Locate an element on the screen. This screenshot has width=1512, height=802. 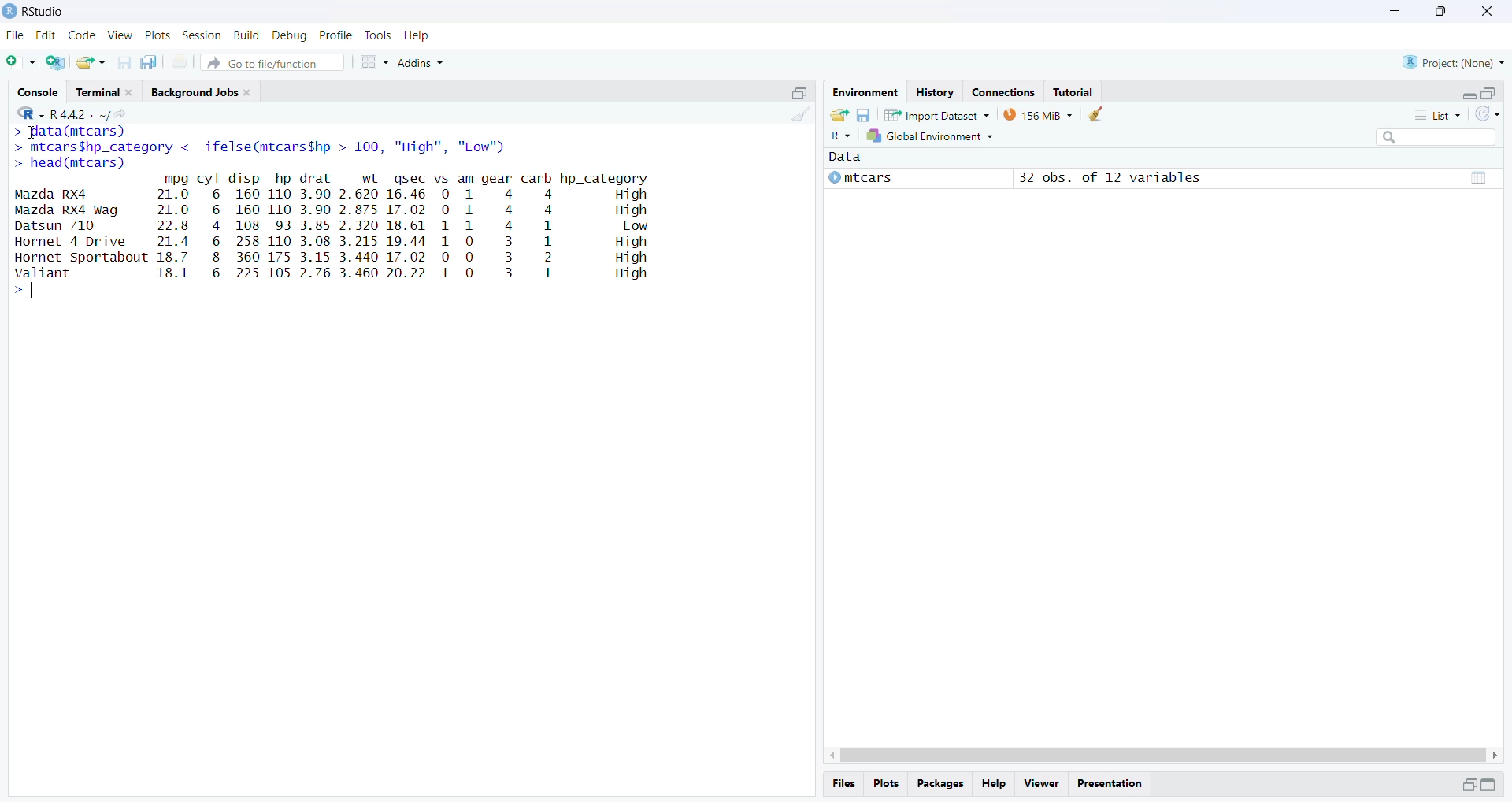
Plots is located at coordinates (157, 36).